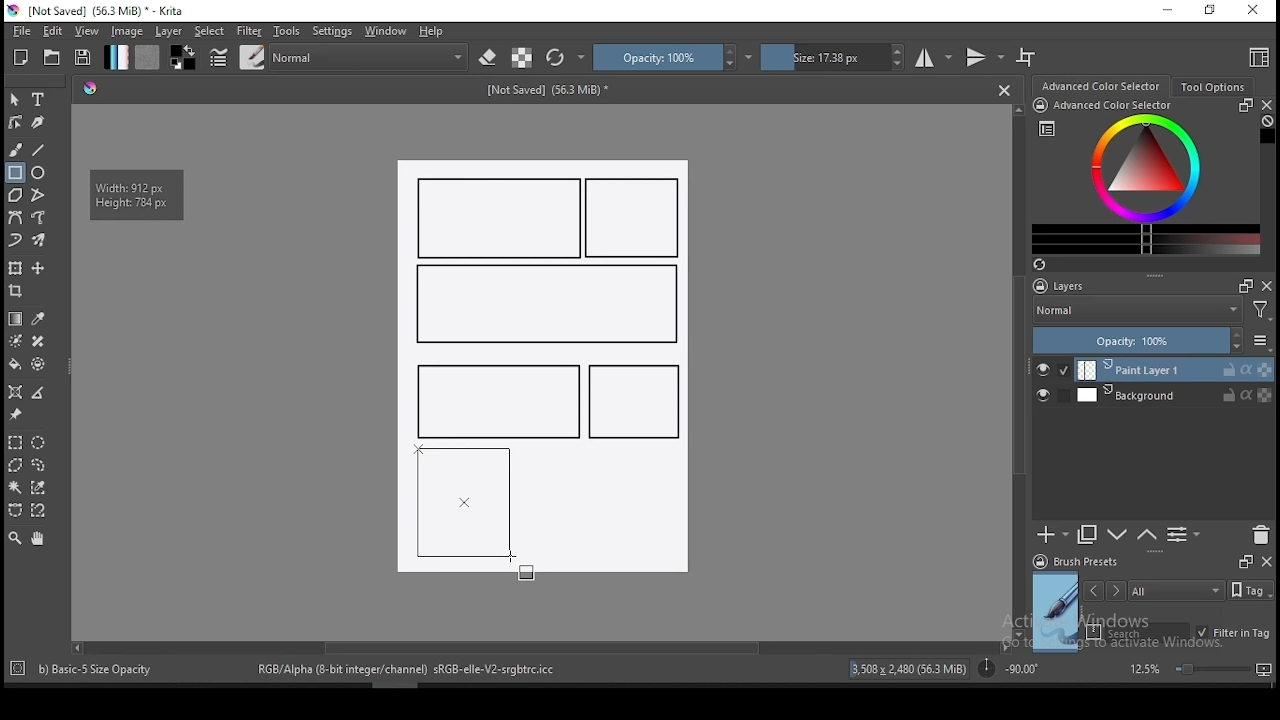 This screenshot has width=1280, height=720. I want to click on move a layer, so click(38, 269).